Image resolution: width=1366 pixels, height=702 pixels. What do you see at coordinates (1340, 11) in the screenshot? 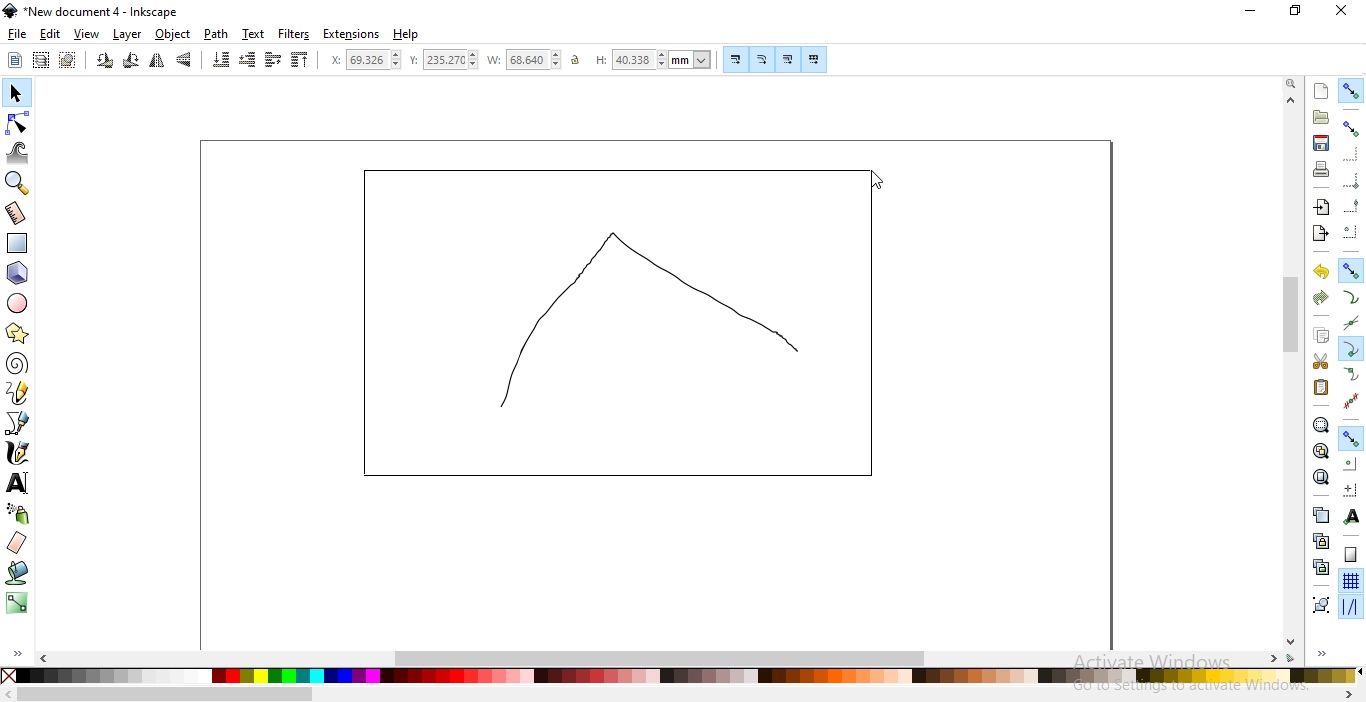
I see `close` at bounding box center [1340, 11].